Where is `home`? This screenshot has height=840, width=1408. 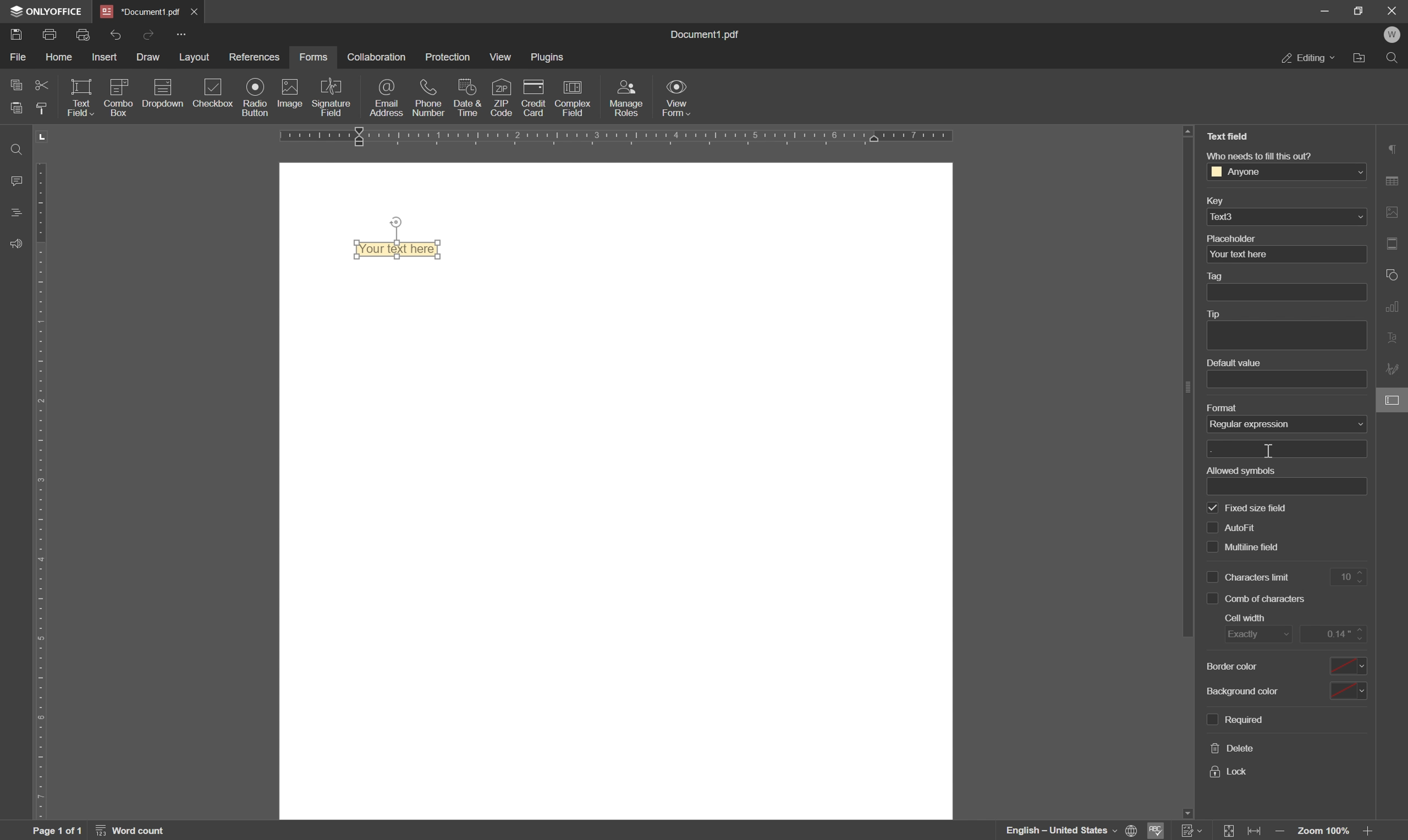
home is located at coordinates (63, 59).